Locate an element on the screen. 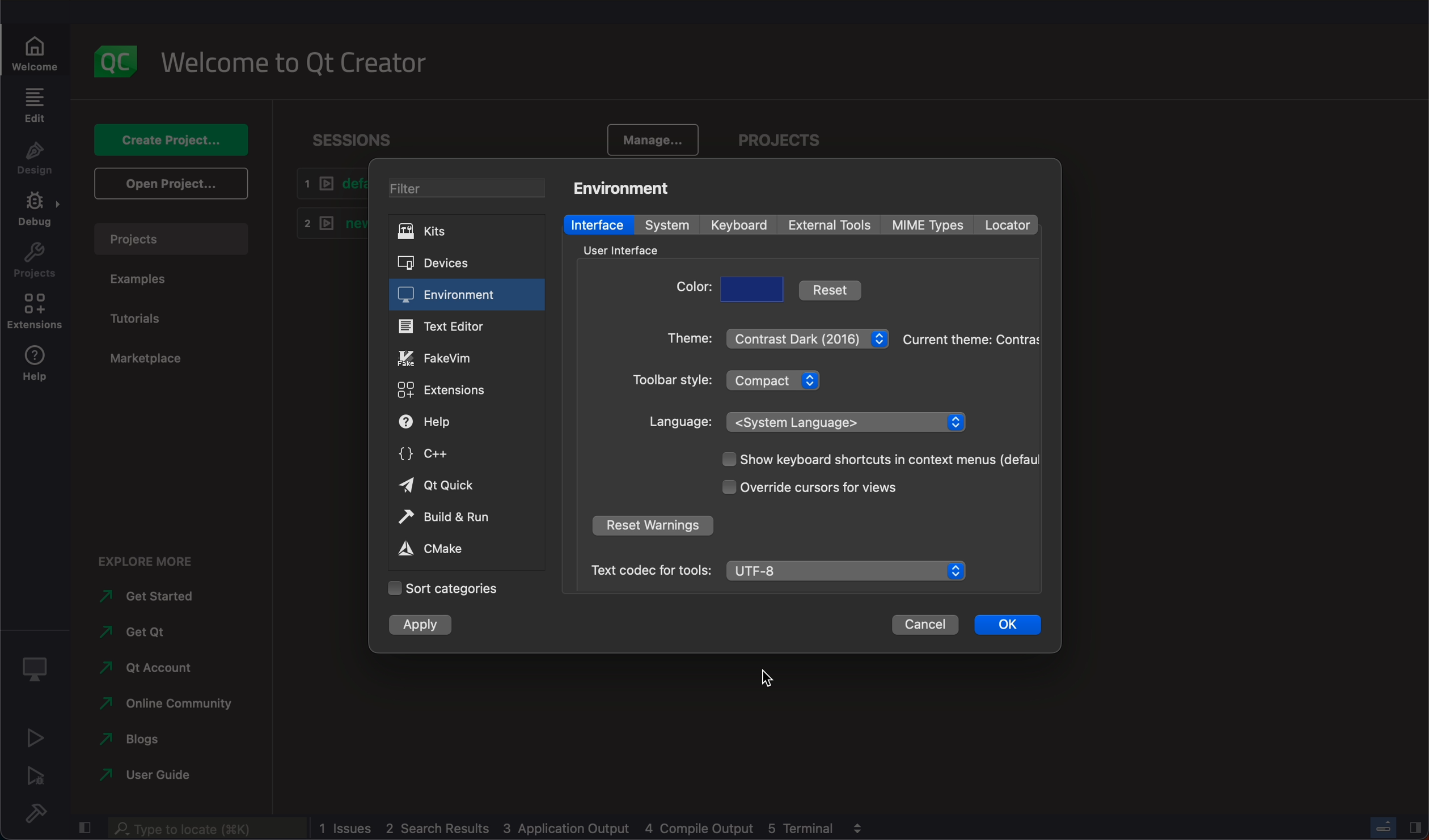  2 is located at coordinates (327, 222).